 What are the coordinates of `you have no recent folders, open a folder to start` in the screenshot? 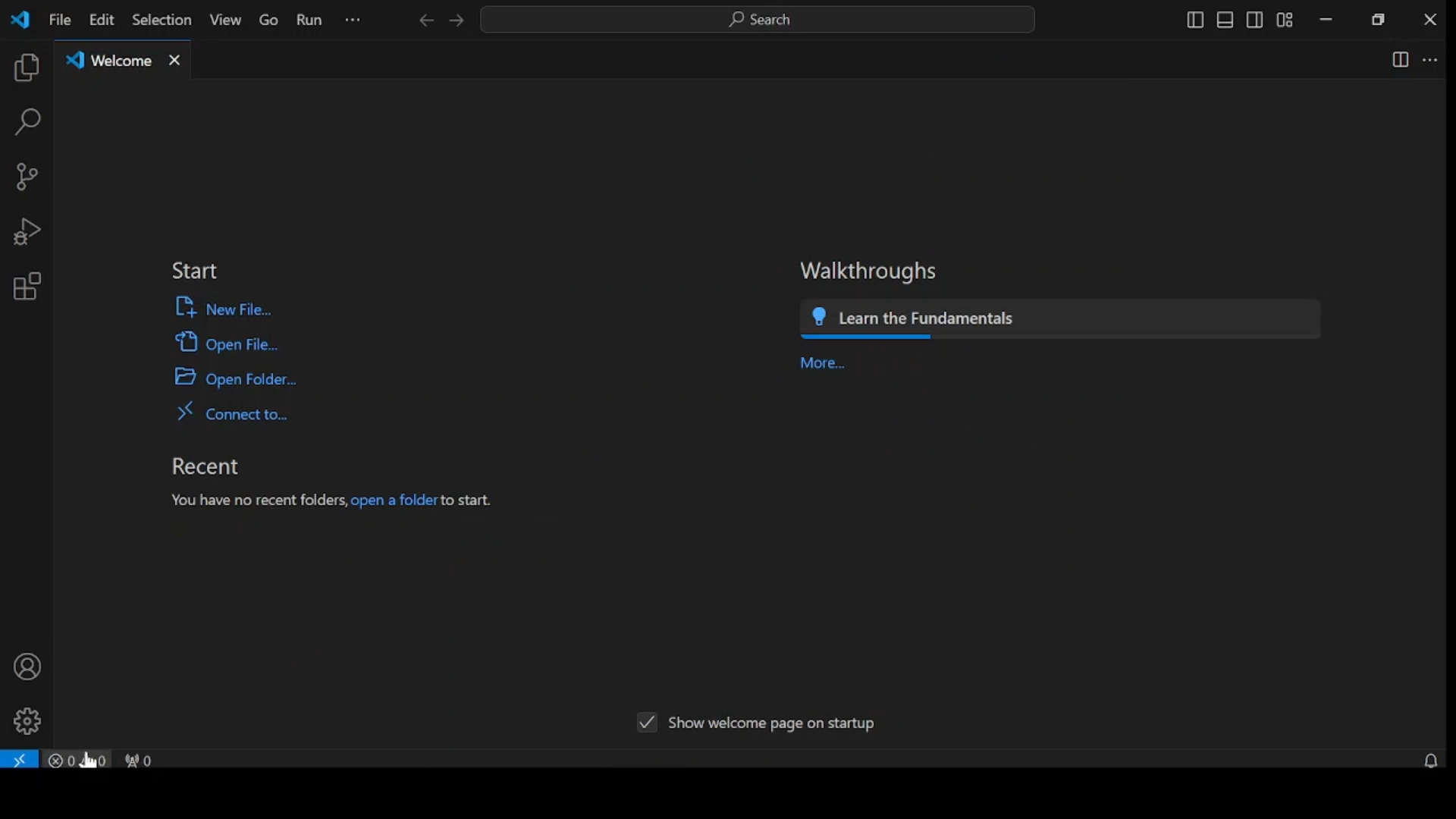 It's located at (332, 502).